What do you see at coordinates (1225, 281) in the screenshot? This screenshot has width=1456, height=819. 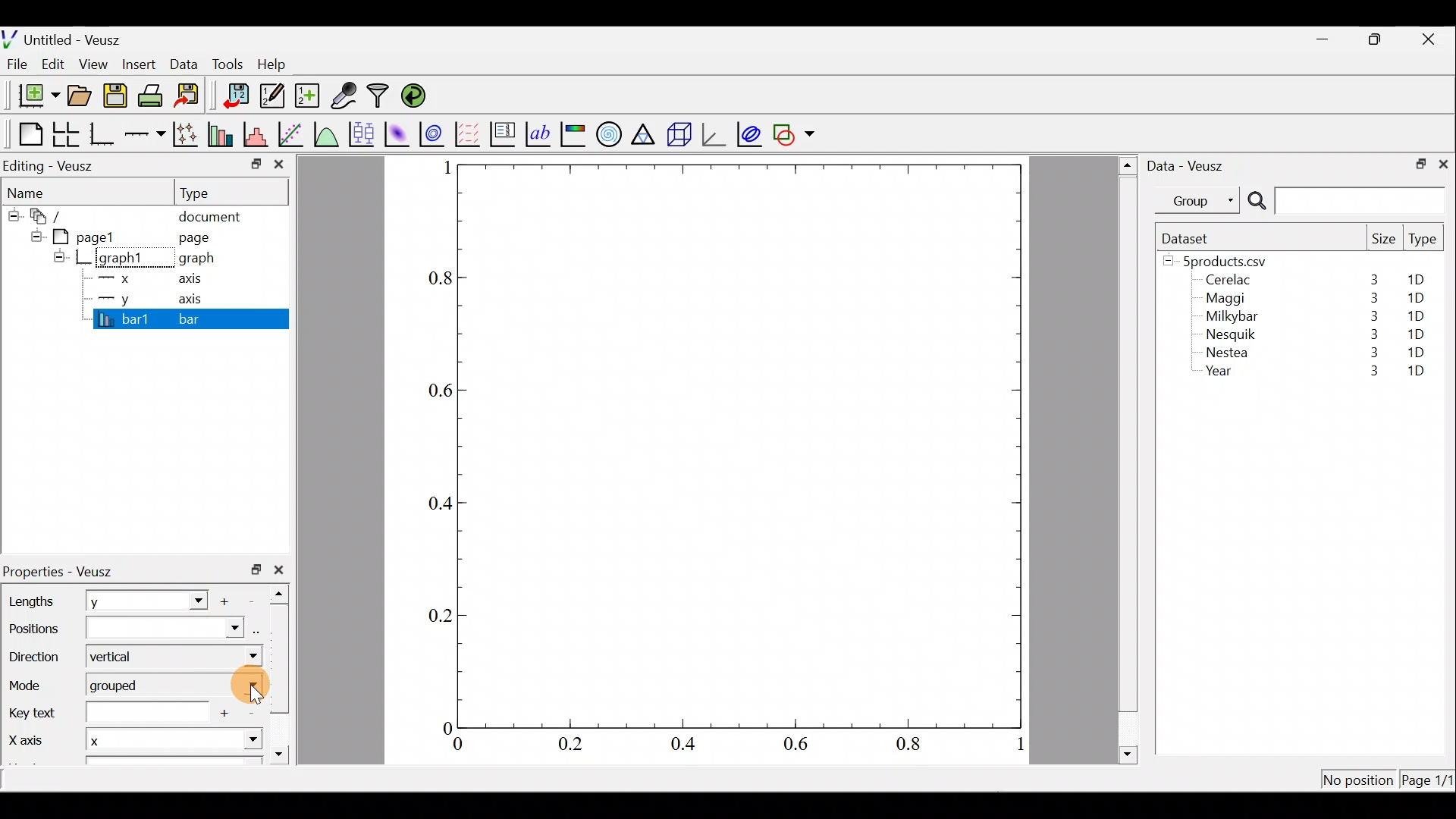 I see `Cerelac` at bounding box center [1225, 281].